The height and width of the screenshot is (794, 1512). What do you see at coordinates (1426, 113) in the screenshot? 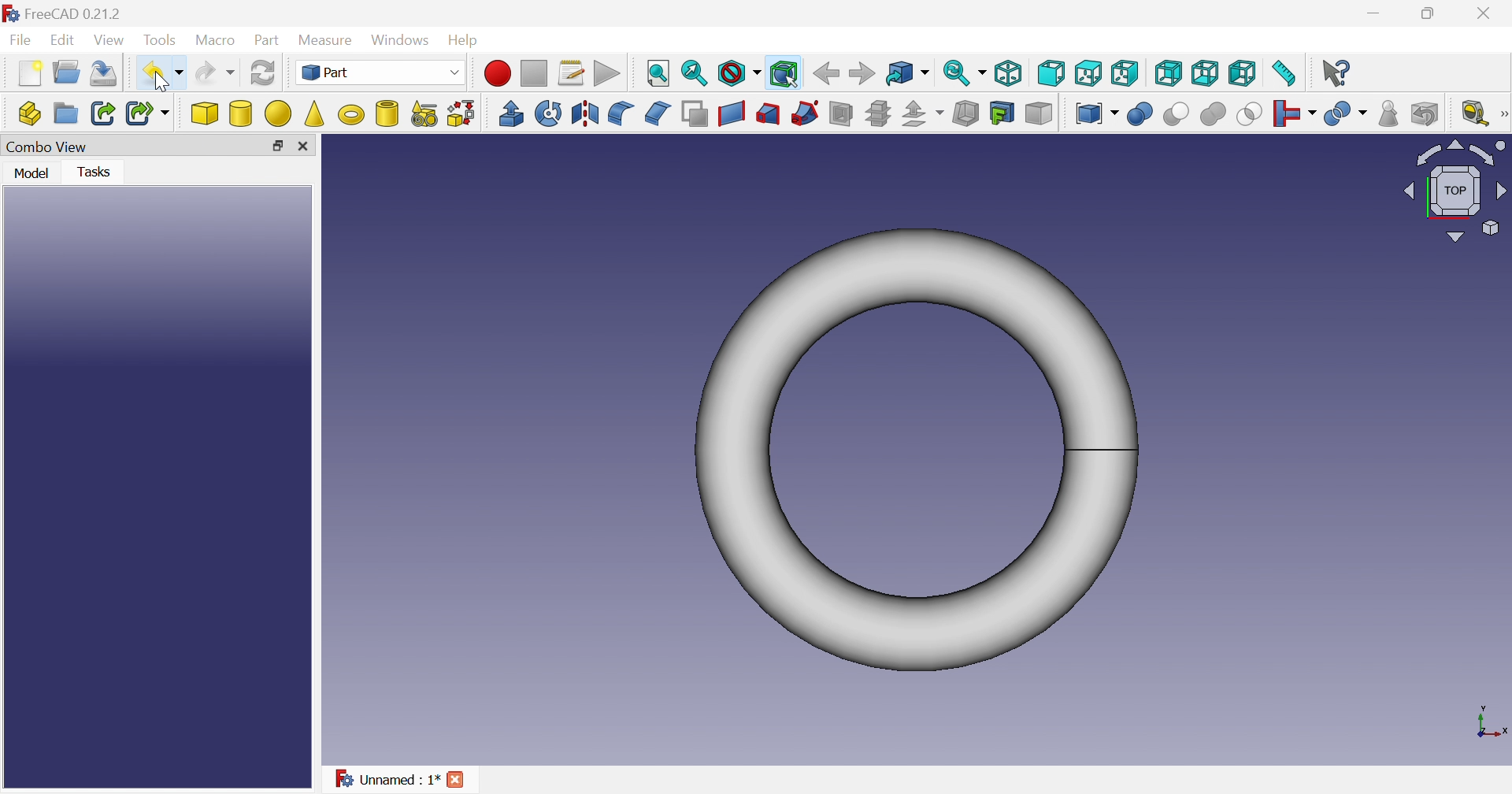
I see `Defeaturing` at bounding box center [1426, 113].